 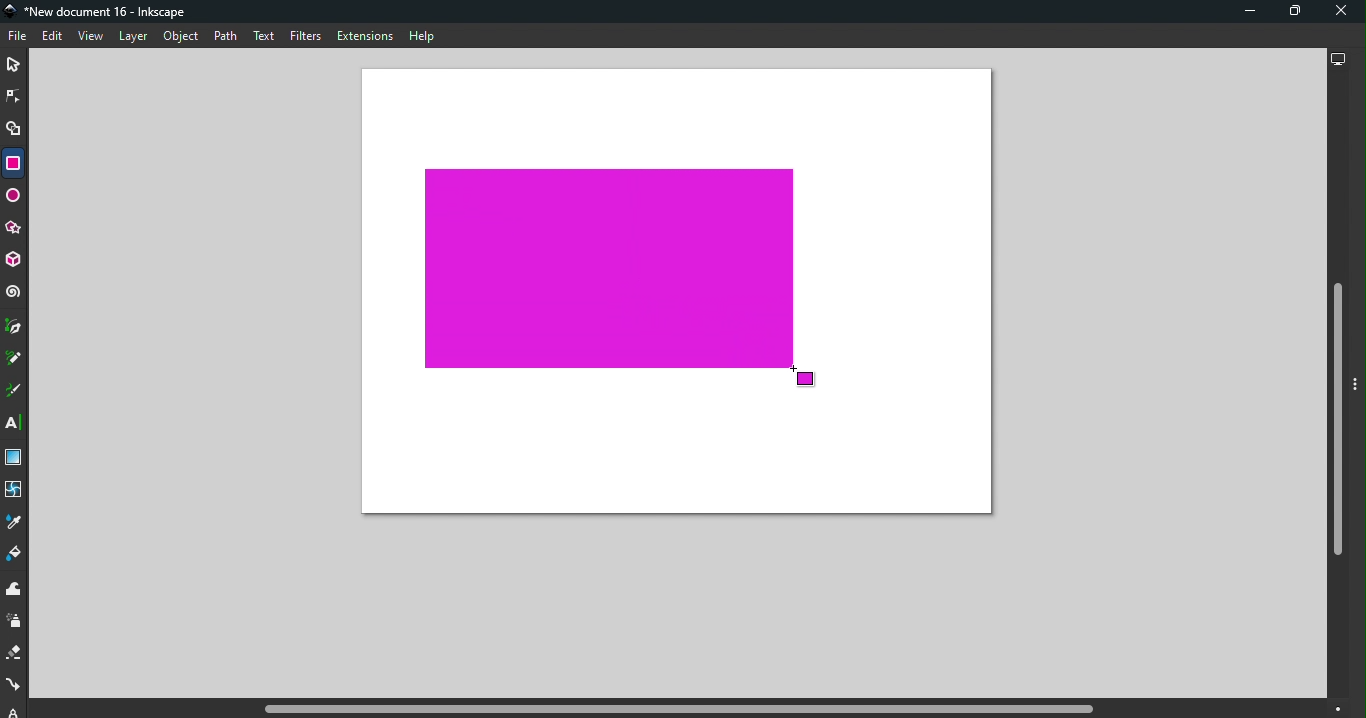 I want to click on Display options, so click(x=1336, y=57).